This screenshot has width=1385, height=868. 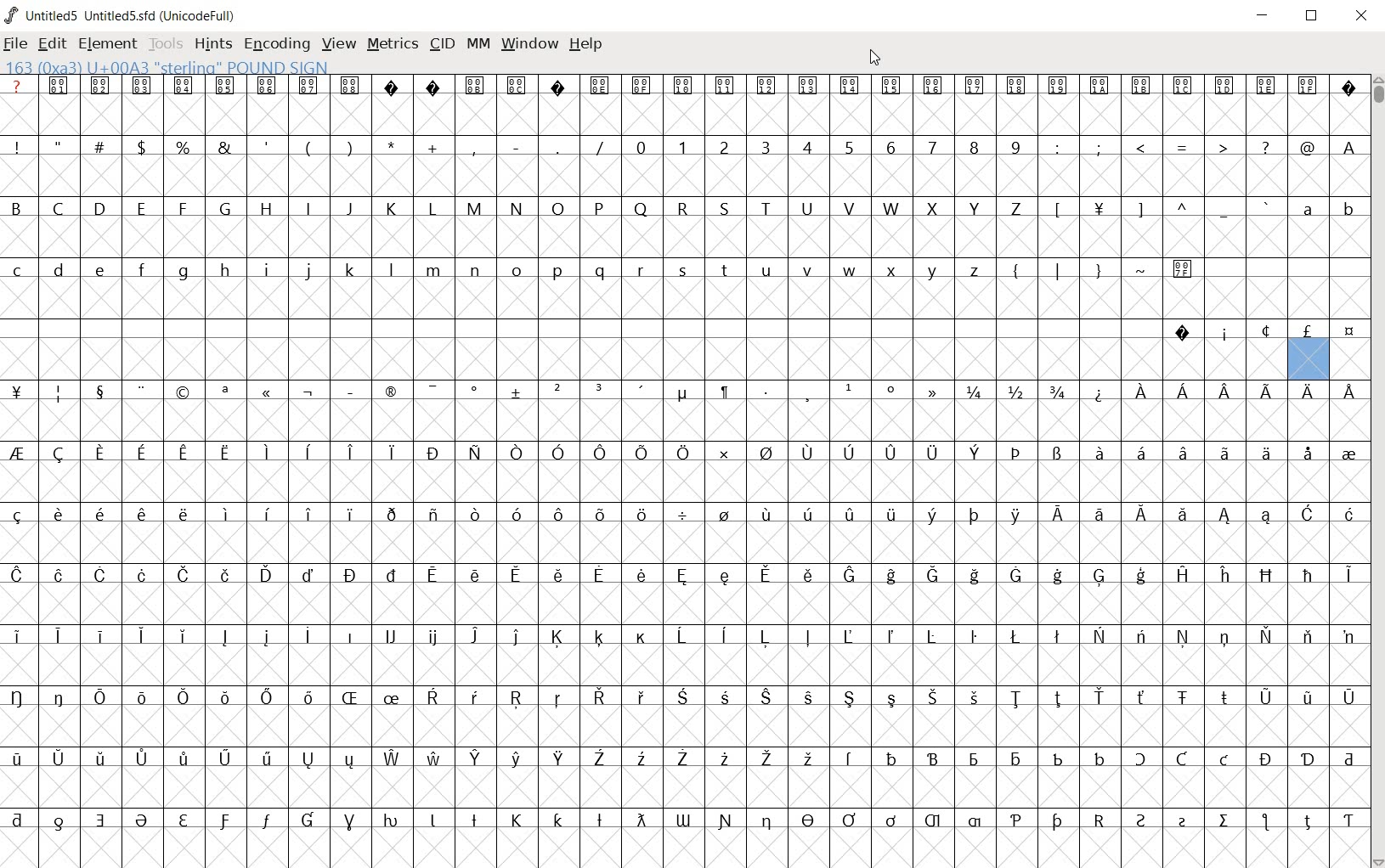 I want to click on Symbol, so click(x=890, y=820).